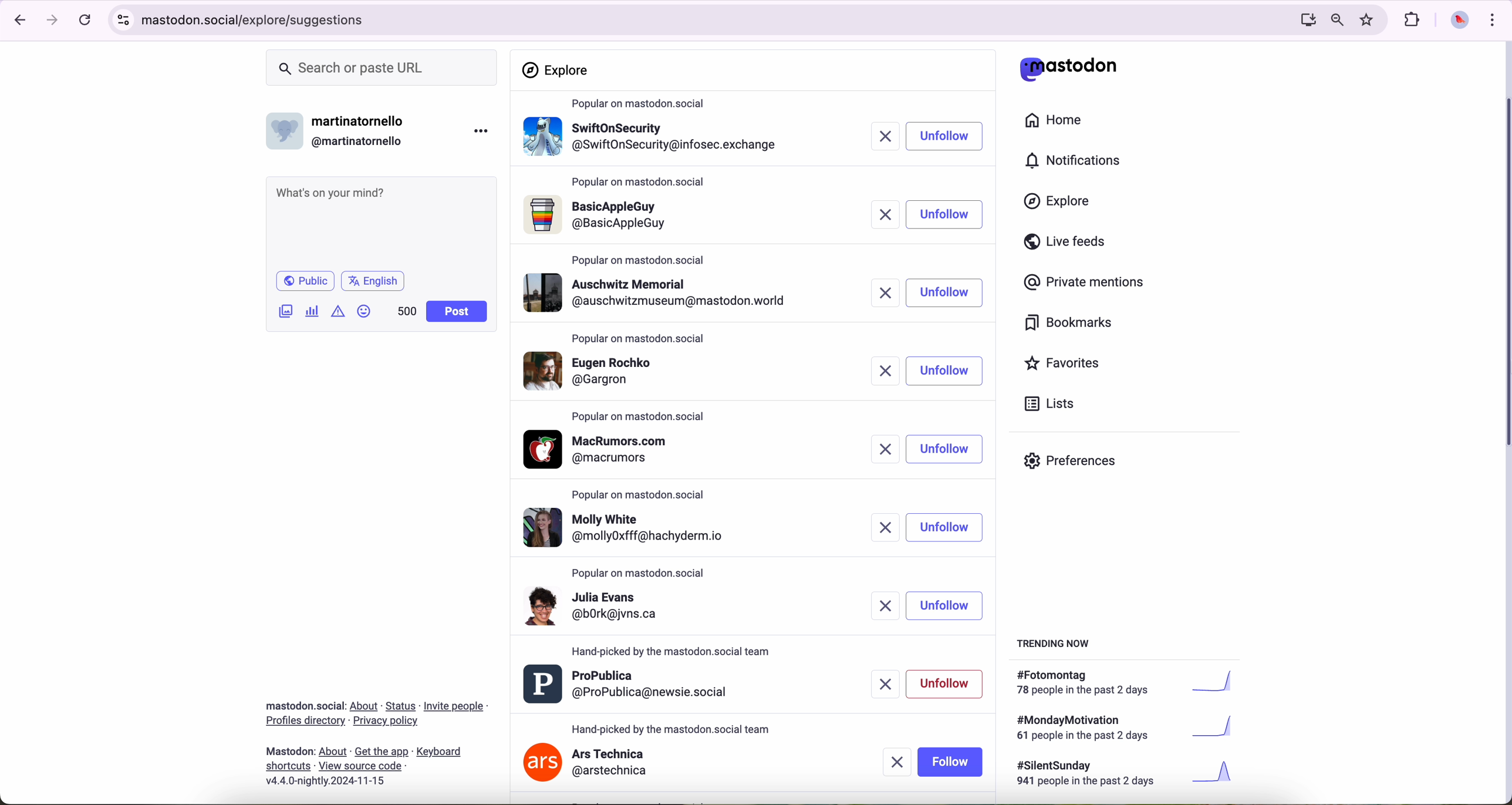 This screenshot has height=805, width=1512. What do you see at coordinates (286, 311) in the screenshot?
I see `attach image` at bounding box center [286, 311].